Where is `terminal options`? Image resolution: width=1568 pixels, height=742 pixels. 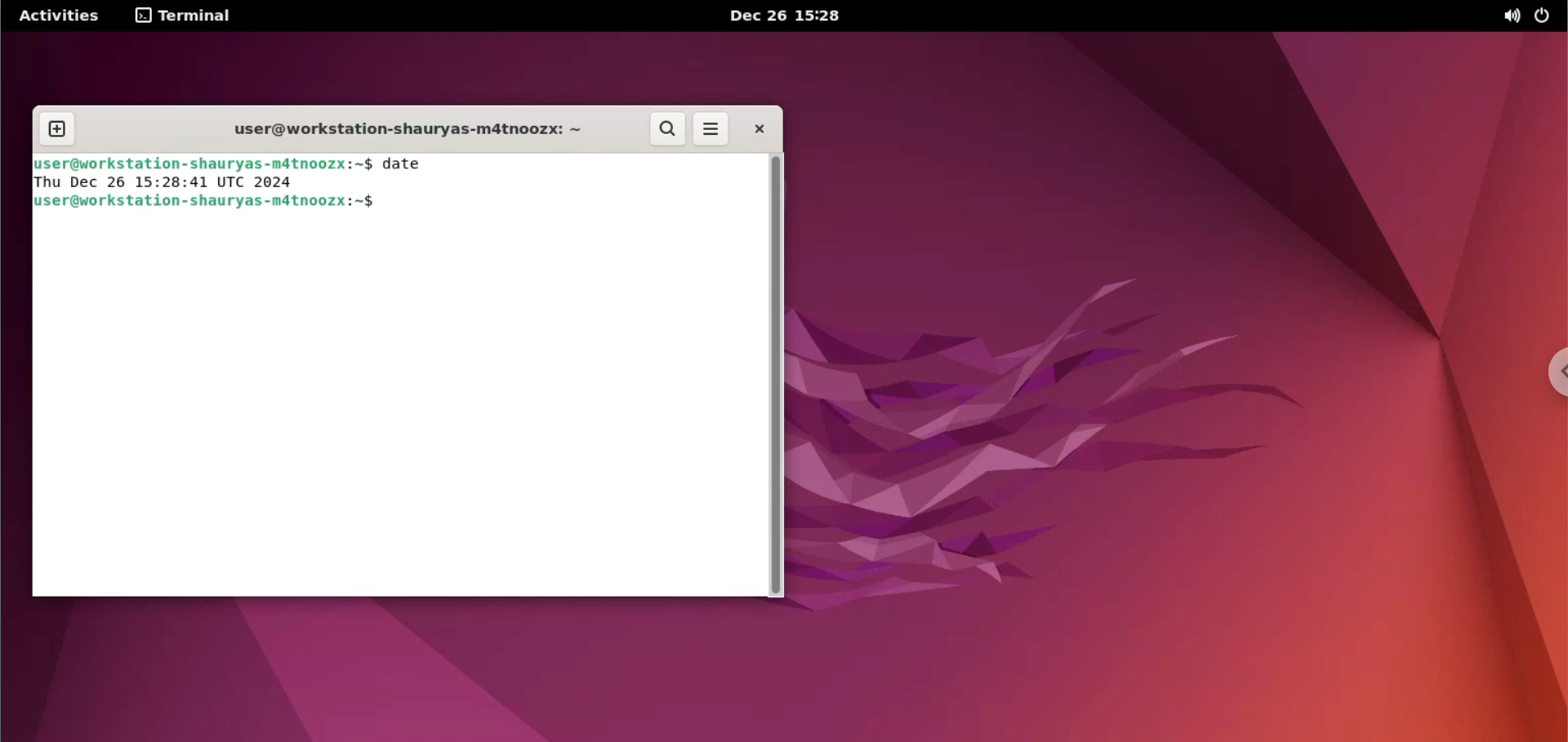
terminal options is located at coordinates (185, 16).